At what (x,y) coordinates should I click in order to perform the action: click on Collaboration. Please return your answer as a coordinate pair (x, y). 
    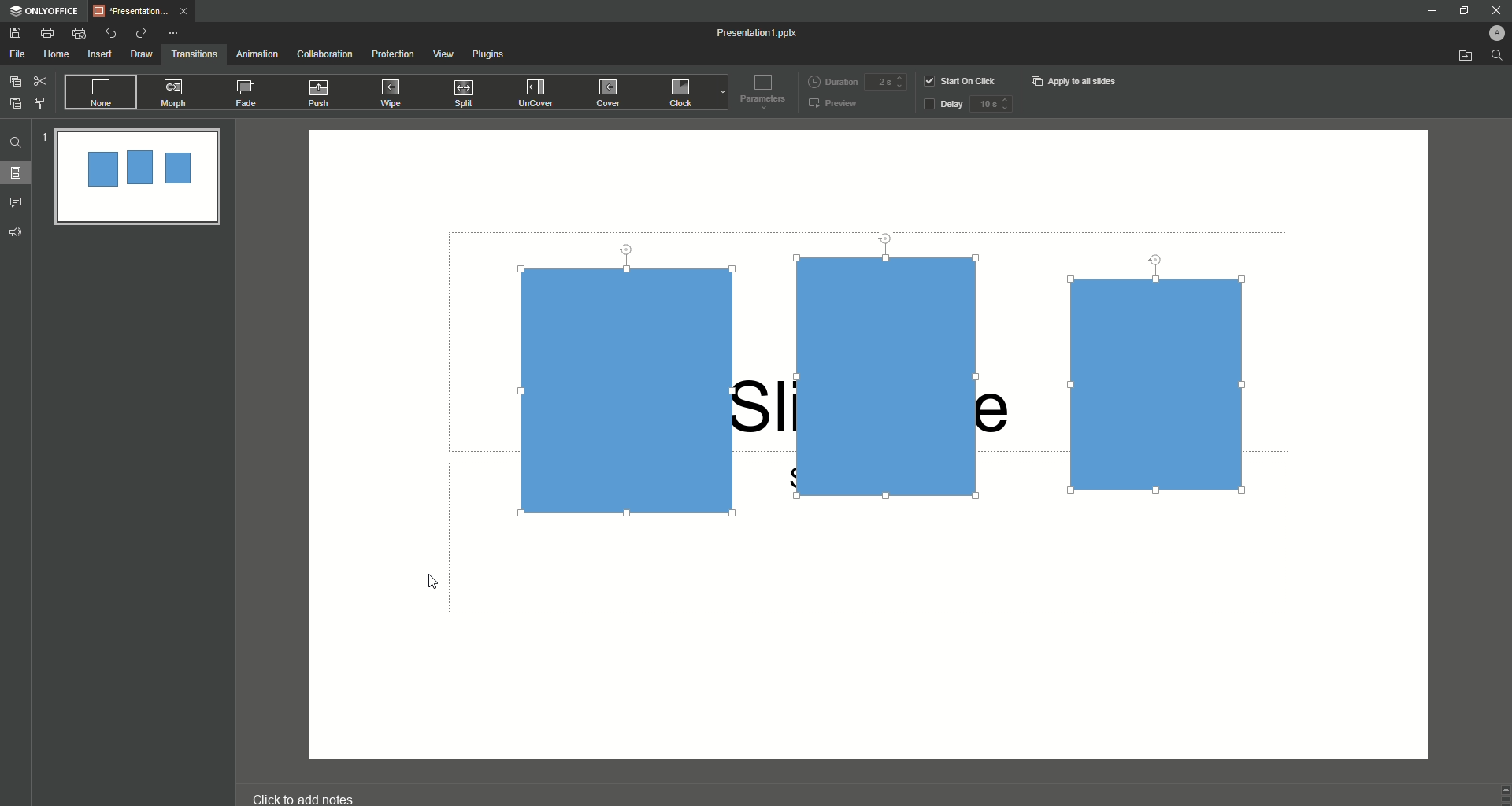
    Looking at the image, I should click on (325, 55).